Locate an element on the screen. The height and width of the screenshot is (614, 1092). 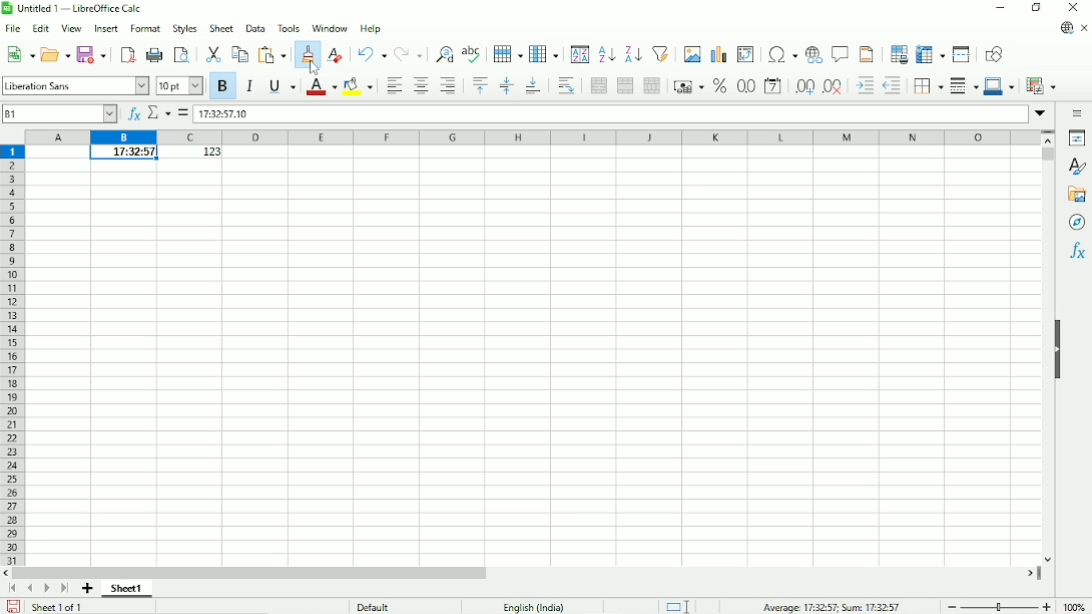
Rows is located at coordinates (508, 53).